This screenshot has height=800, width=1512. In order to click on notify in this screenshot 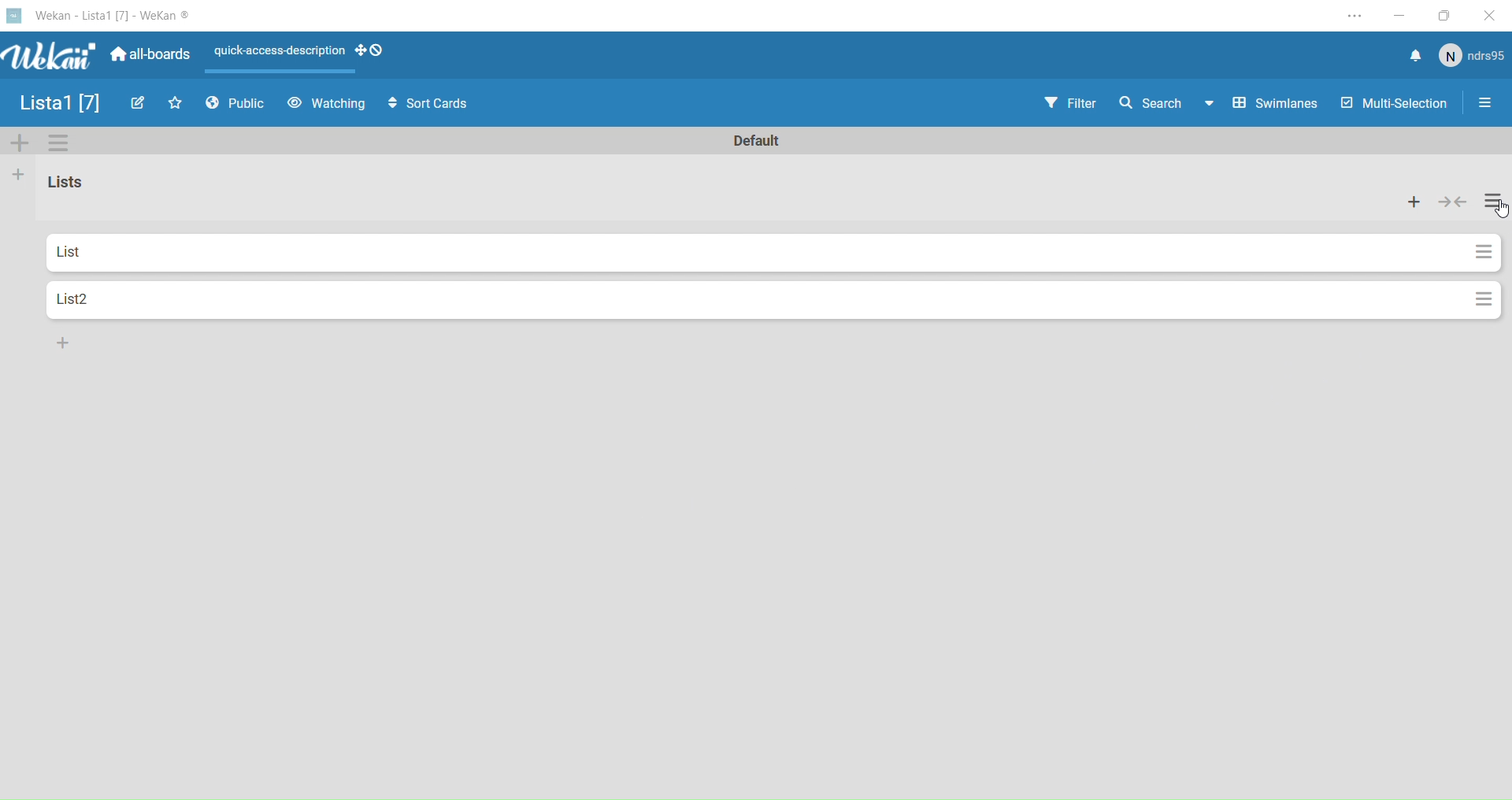, I will do `click(1415, 61)`.